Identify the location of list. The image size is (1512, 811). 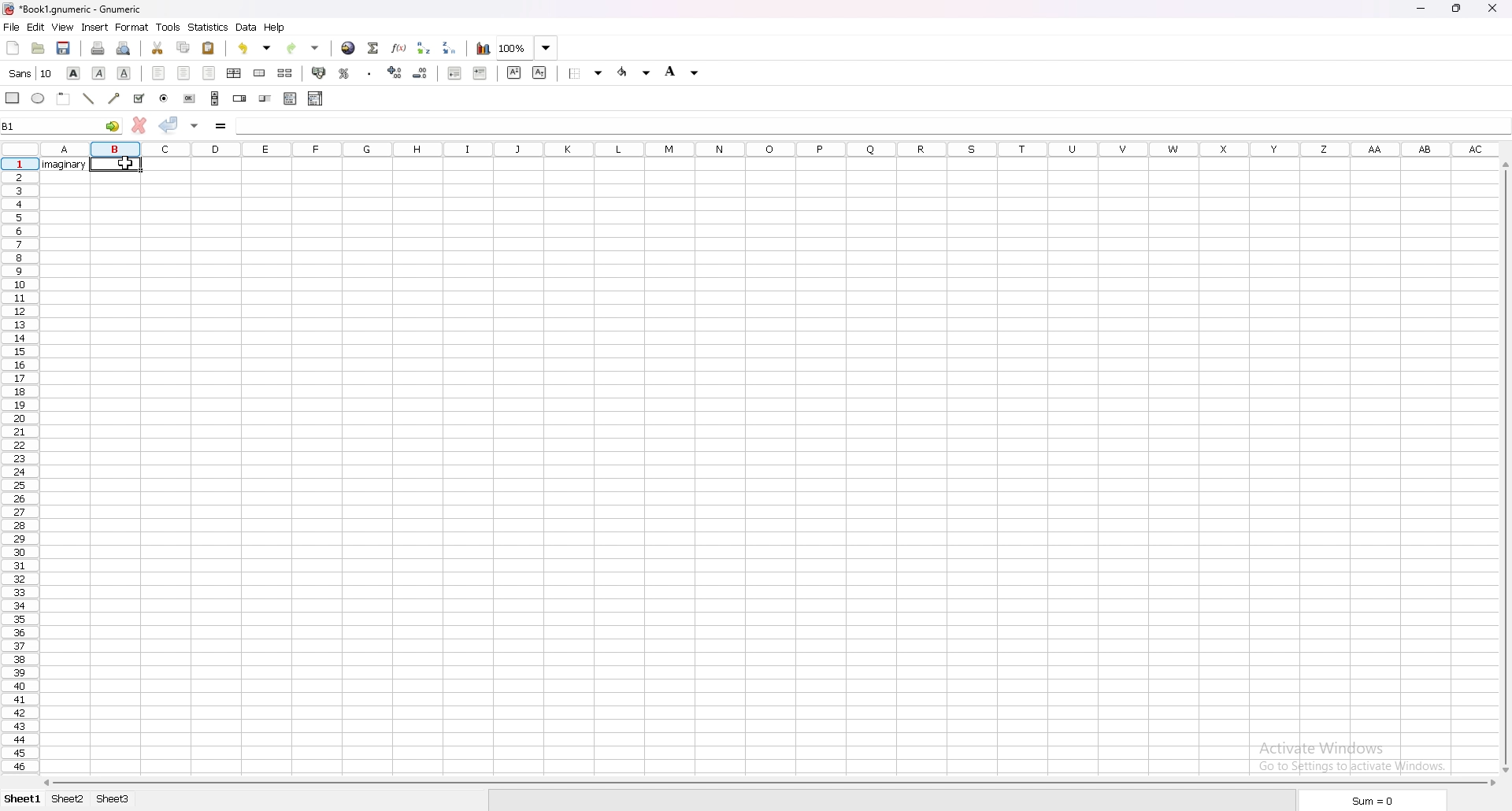
(291, 98).